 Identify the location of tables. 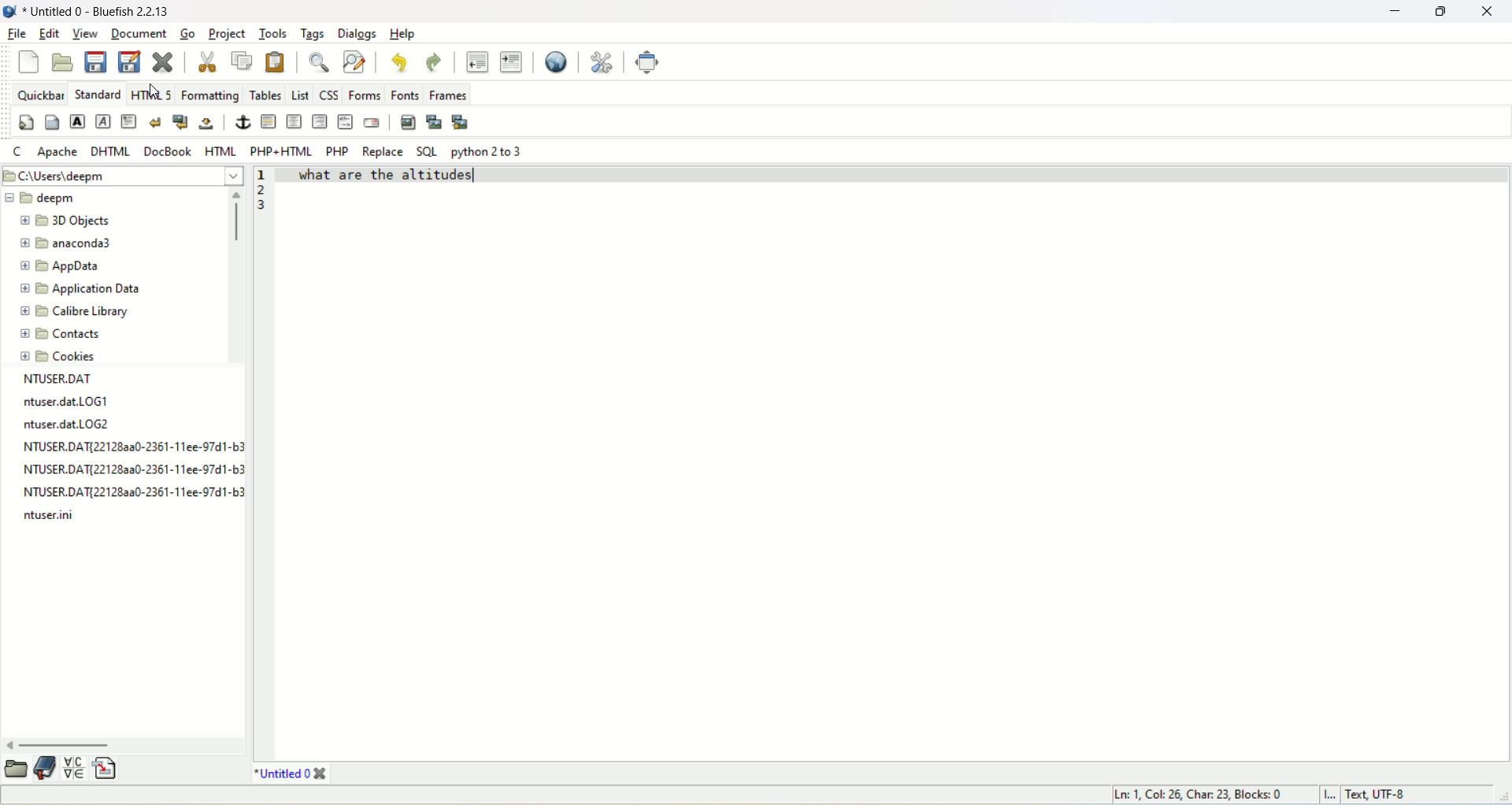
(266, 95).